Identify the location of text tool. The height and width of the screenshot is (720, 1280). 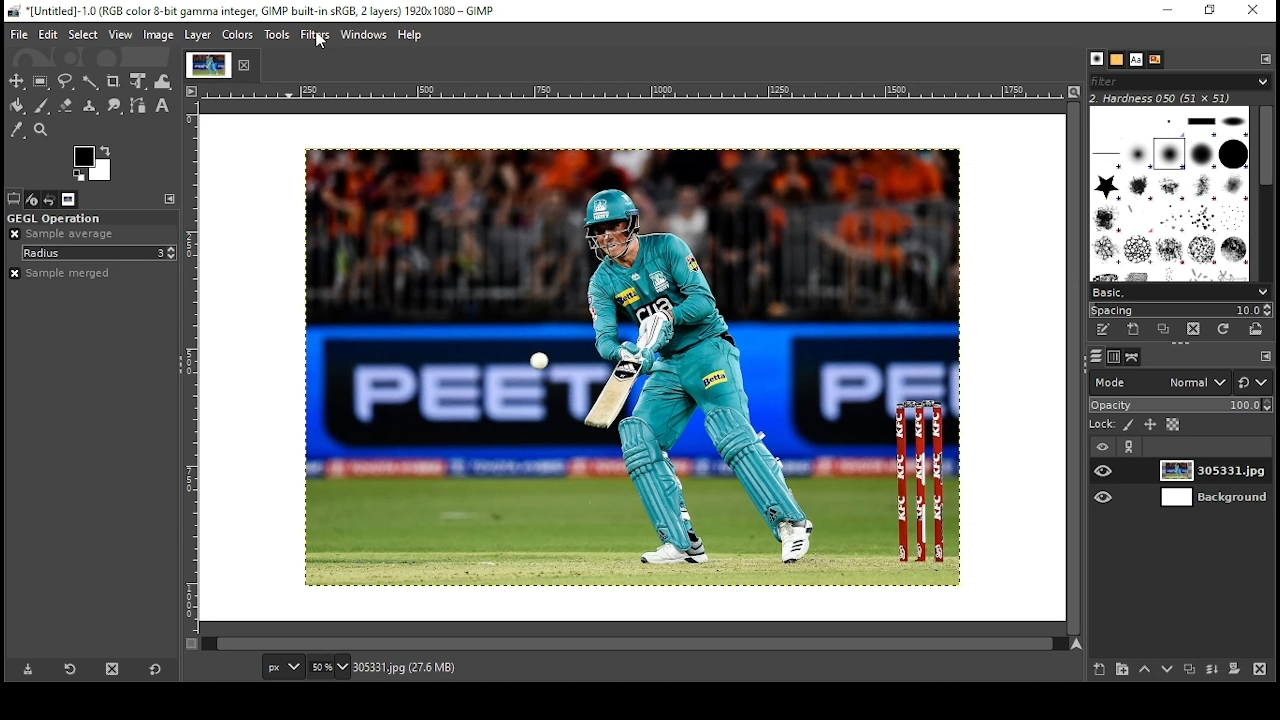
(165, 106).